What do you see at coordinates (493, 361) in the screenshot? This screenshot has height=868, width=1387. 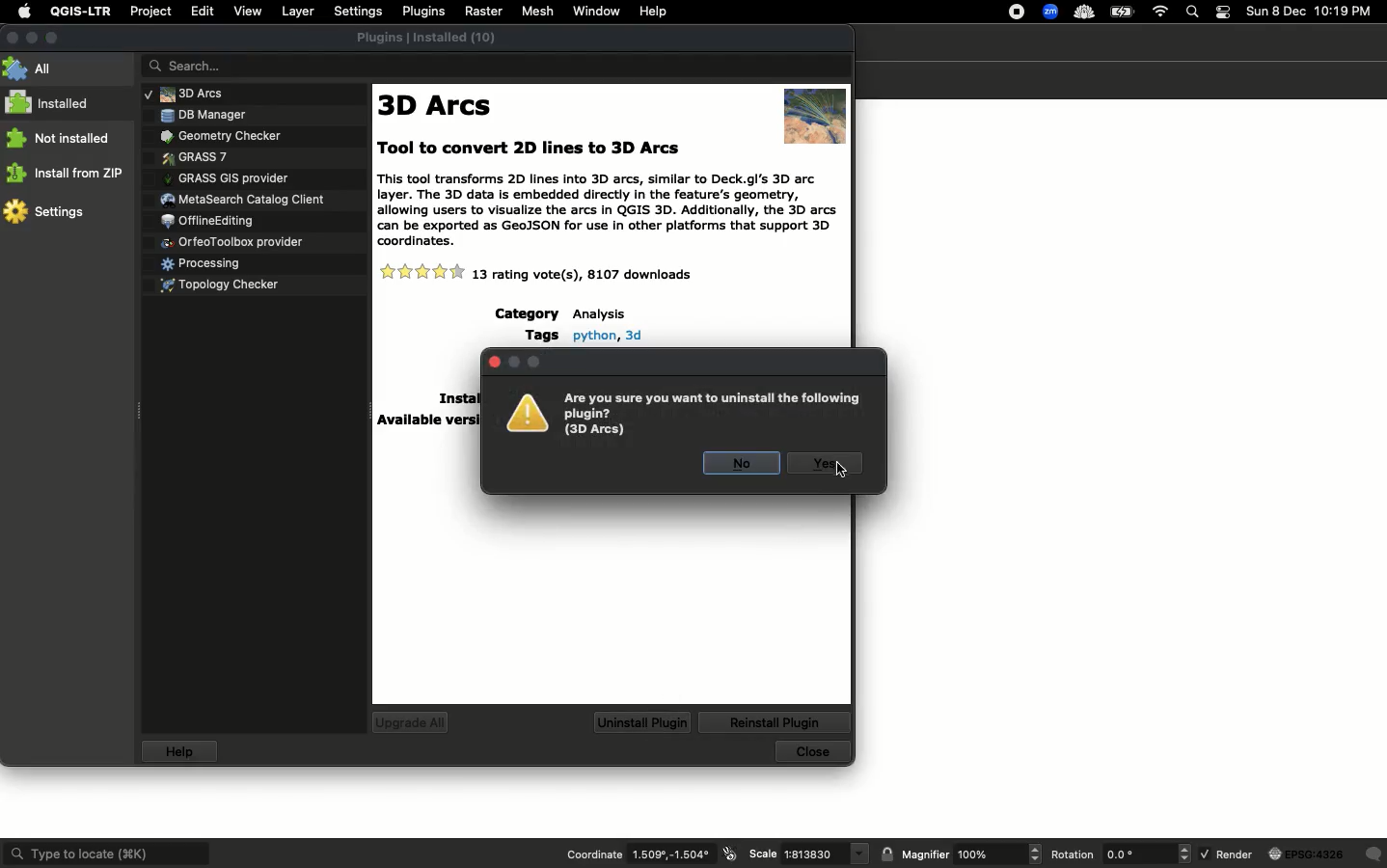 I see `close` at bounding box center [493, 361].